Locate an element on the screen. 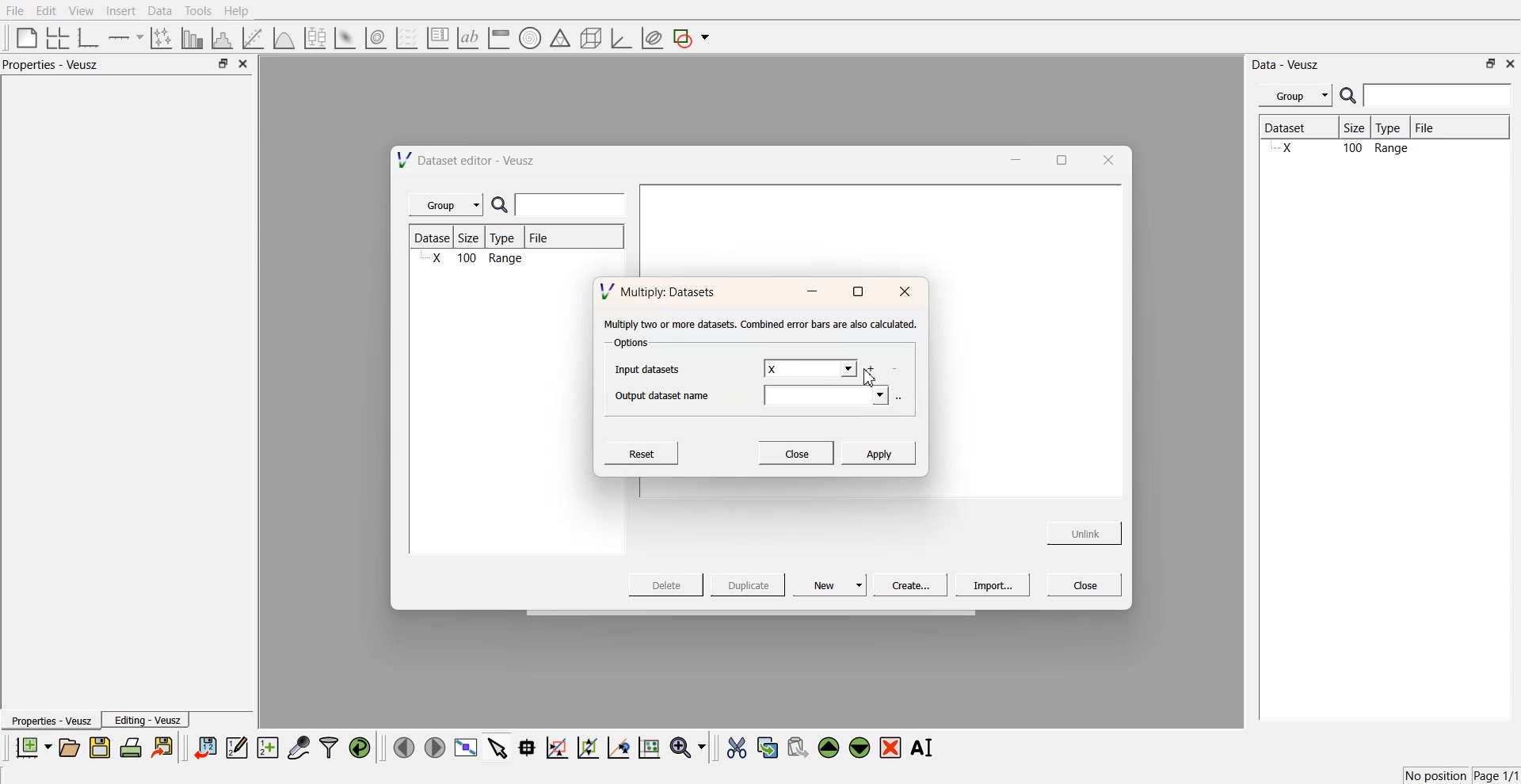  search icon is located at coordinates (1350, 95).